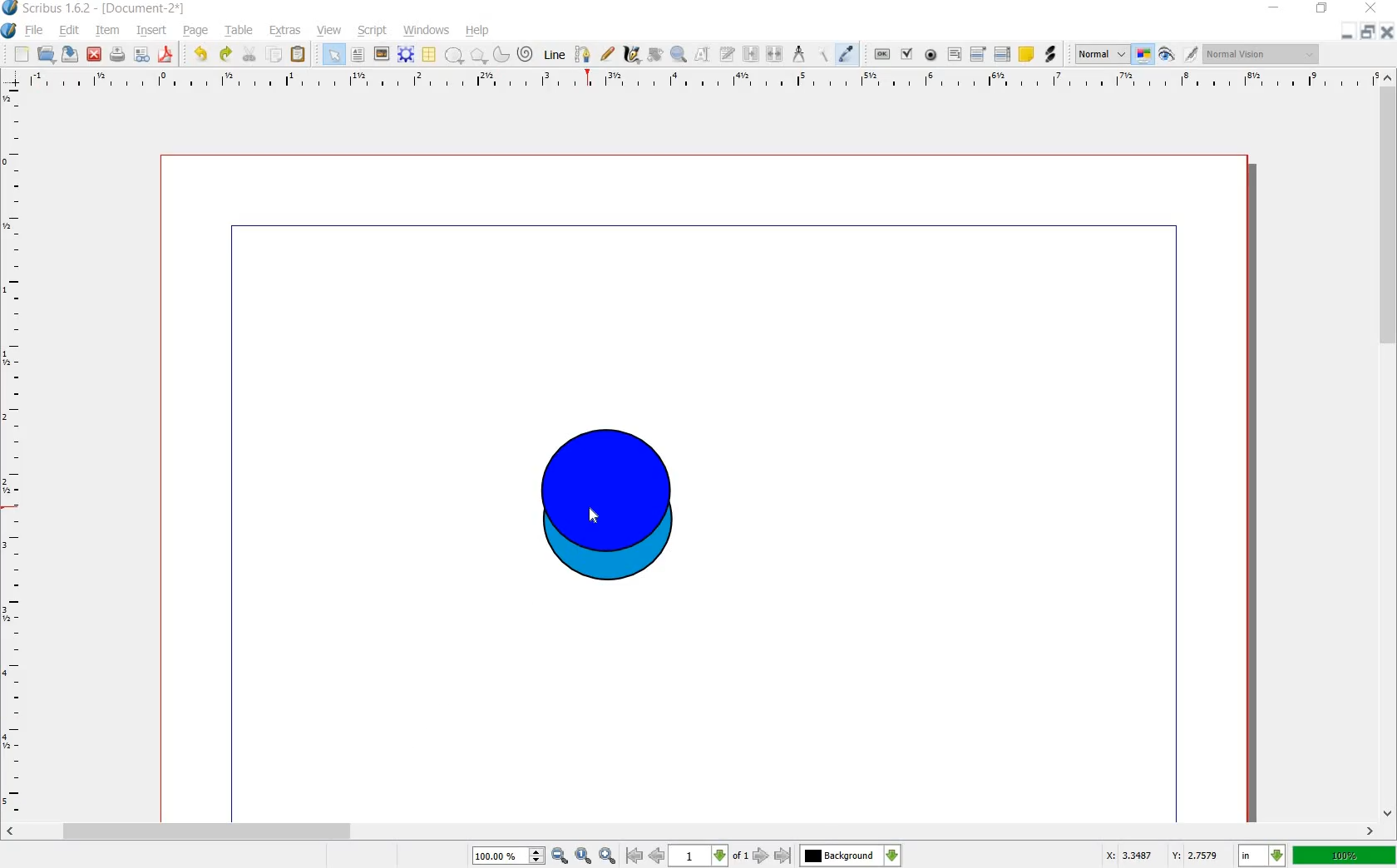 The height and width of the screenshot is (868, 1397). What do you see at coordinates (728, 56) in the screenshot?
I see `edit text with story editor` at bounding box center [728, 56].